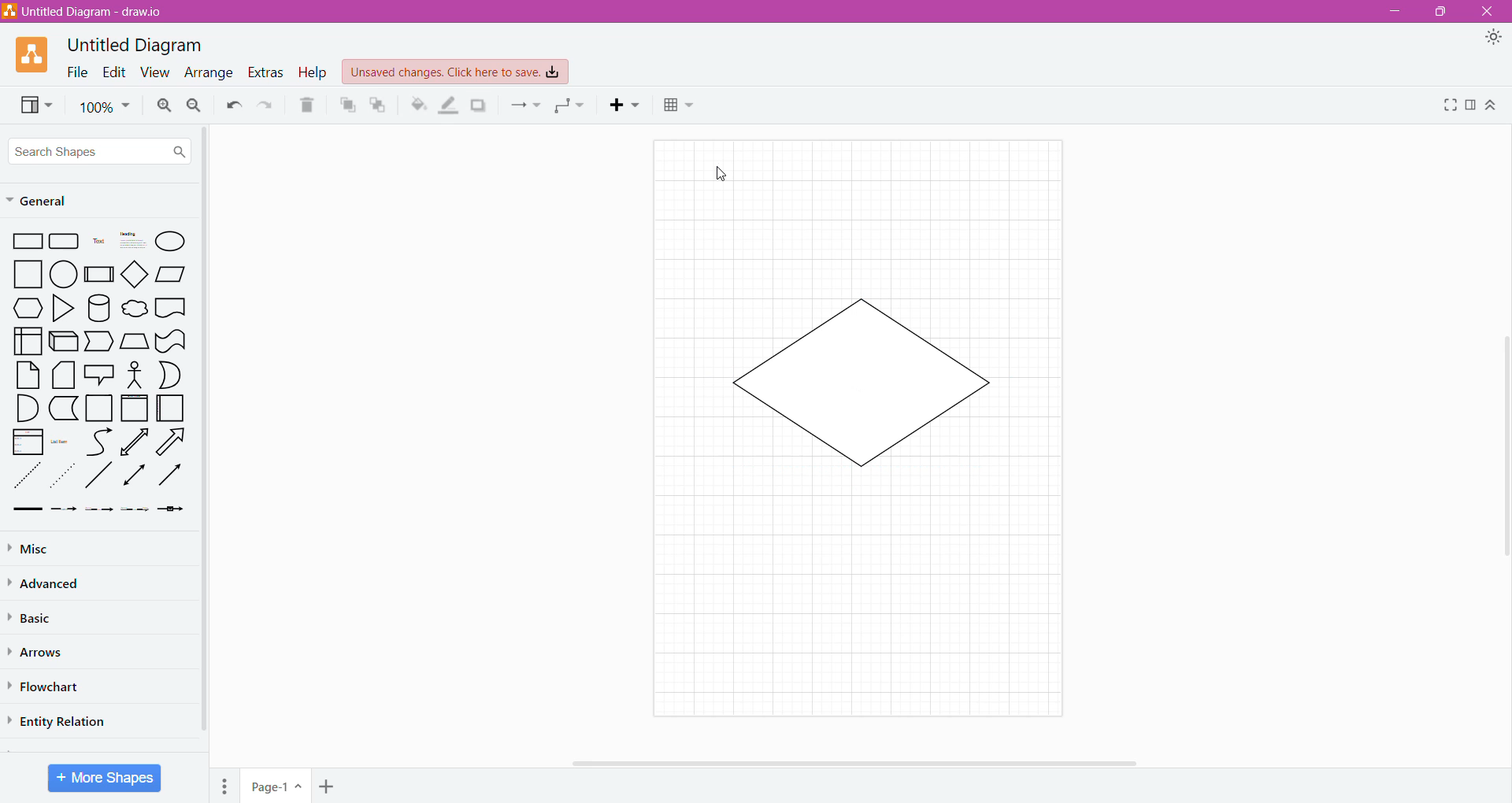 The width and height of the screenshot is (1512, 803). Describe the element at coordinates (61, 376) in the screenshot. I see `Card` at that location.